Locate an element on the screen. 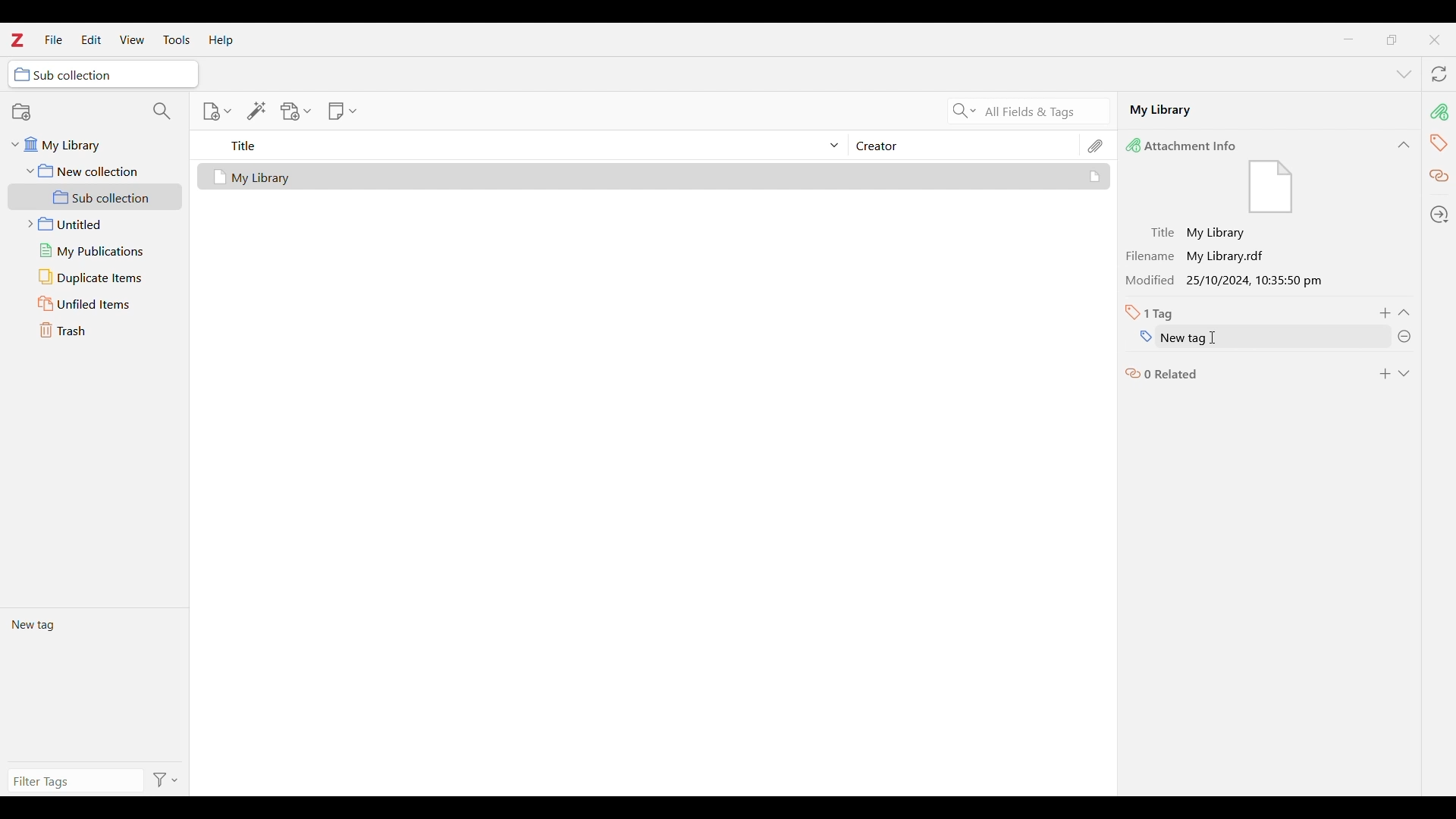 Image resolution: width=1456 pixels, height=819 pixels. Minimize is located at coordinates (1349, 39).